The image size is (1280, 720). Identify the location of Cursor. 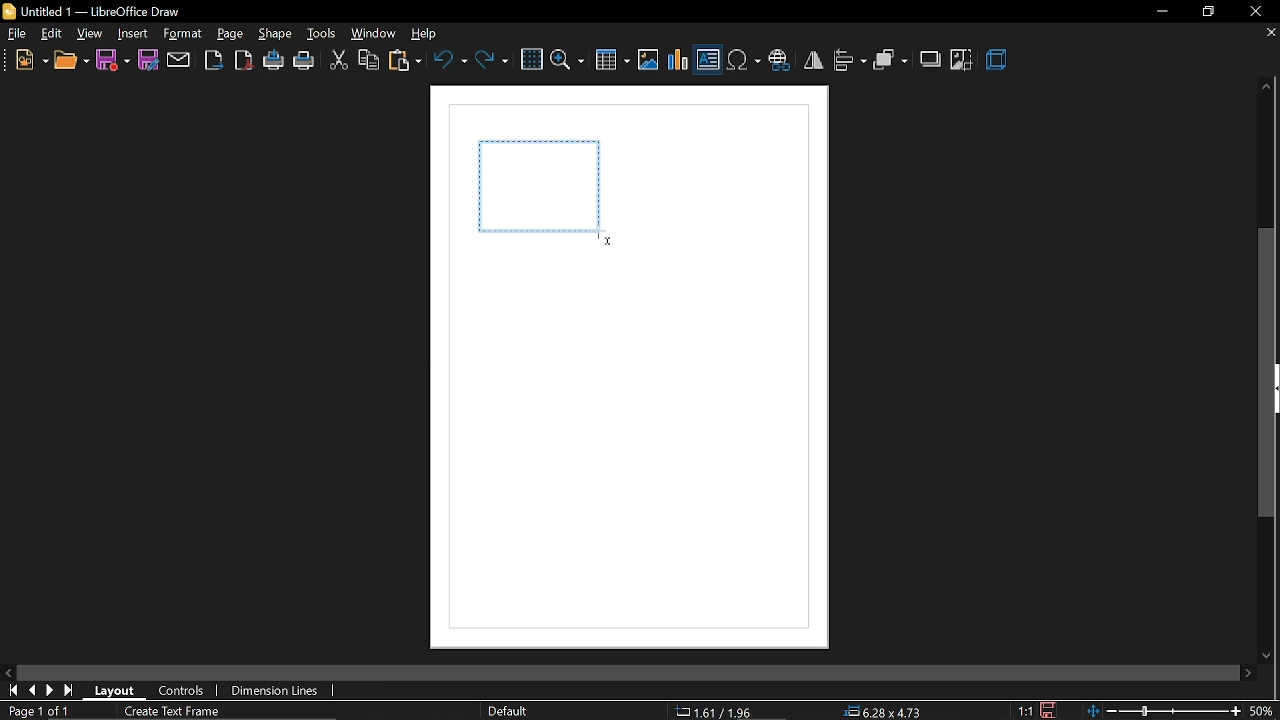
(608, 241).